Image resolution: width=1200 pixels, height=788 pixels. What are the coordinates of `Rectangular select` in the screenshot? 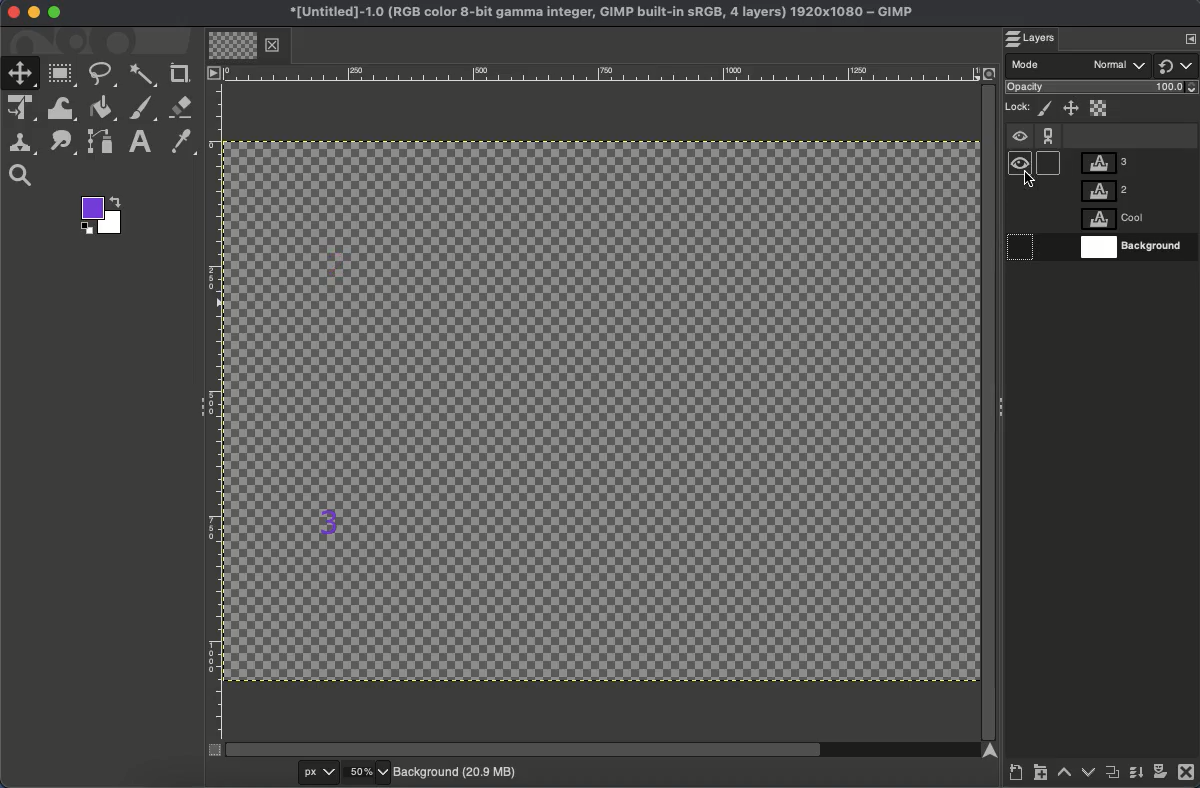 It's located at (63, 74).